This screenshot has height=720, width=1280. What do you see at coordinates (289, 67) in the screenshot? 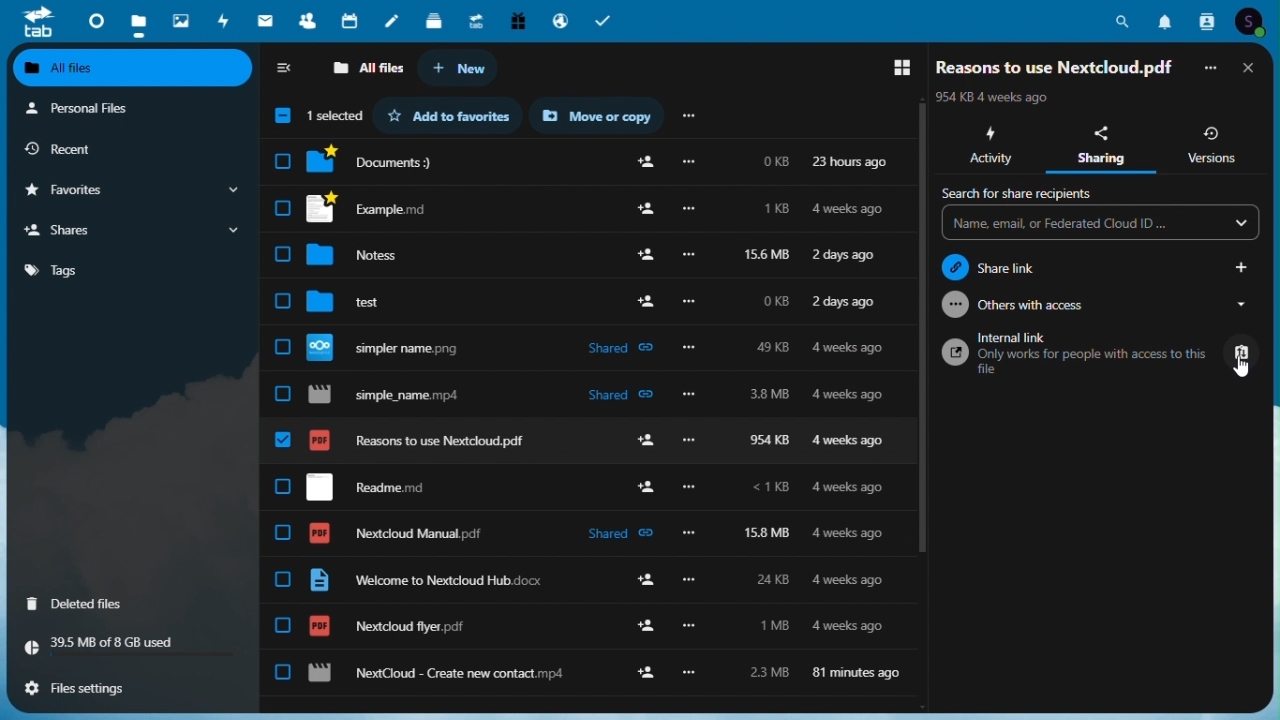
I see `collapse sidebar` at bounding box center [289, 67].